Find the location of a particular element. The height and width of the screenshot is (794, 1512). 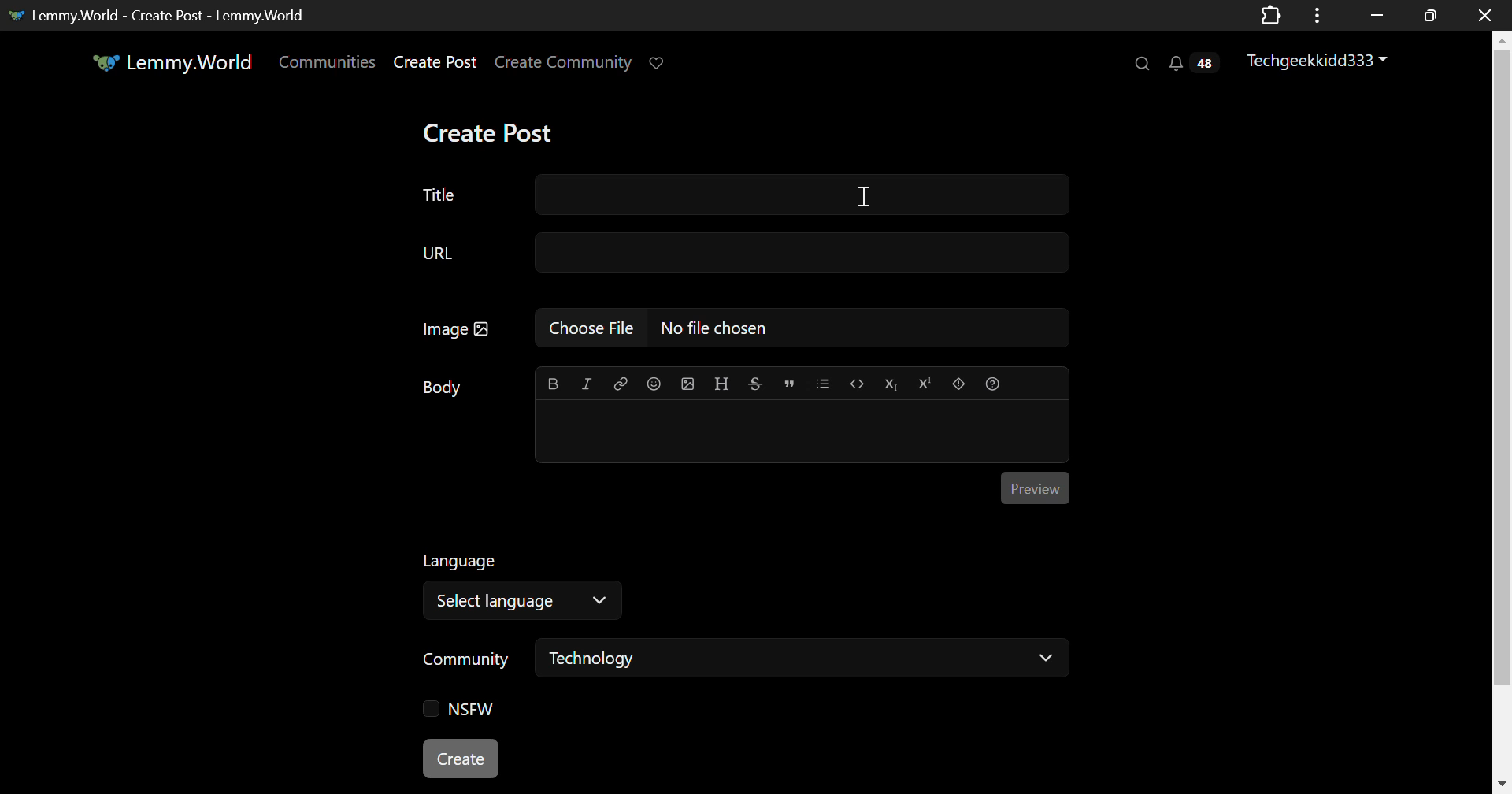

Create is located at coordinates (461, 759).